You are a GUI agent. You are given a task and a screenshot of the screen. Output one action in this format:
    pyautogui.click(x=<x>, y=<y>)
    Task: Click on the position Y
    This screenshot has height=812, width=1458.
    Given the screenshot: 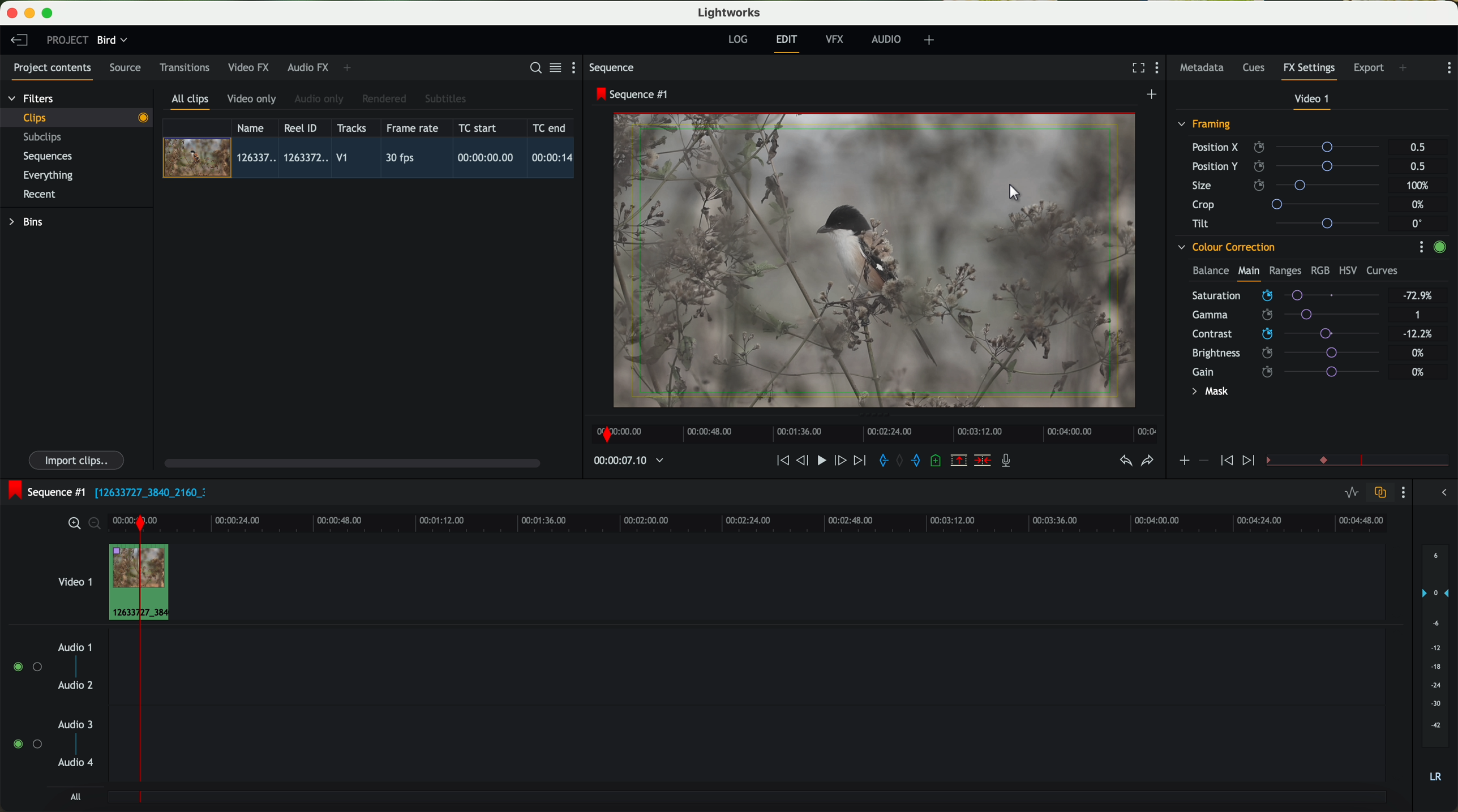 What is the action you would take?
    pyautogui.click(x=1290, y=166)
    